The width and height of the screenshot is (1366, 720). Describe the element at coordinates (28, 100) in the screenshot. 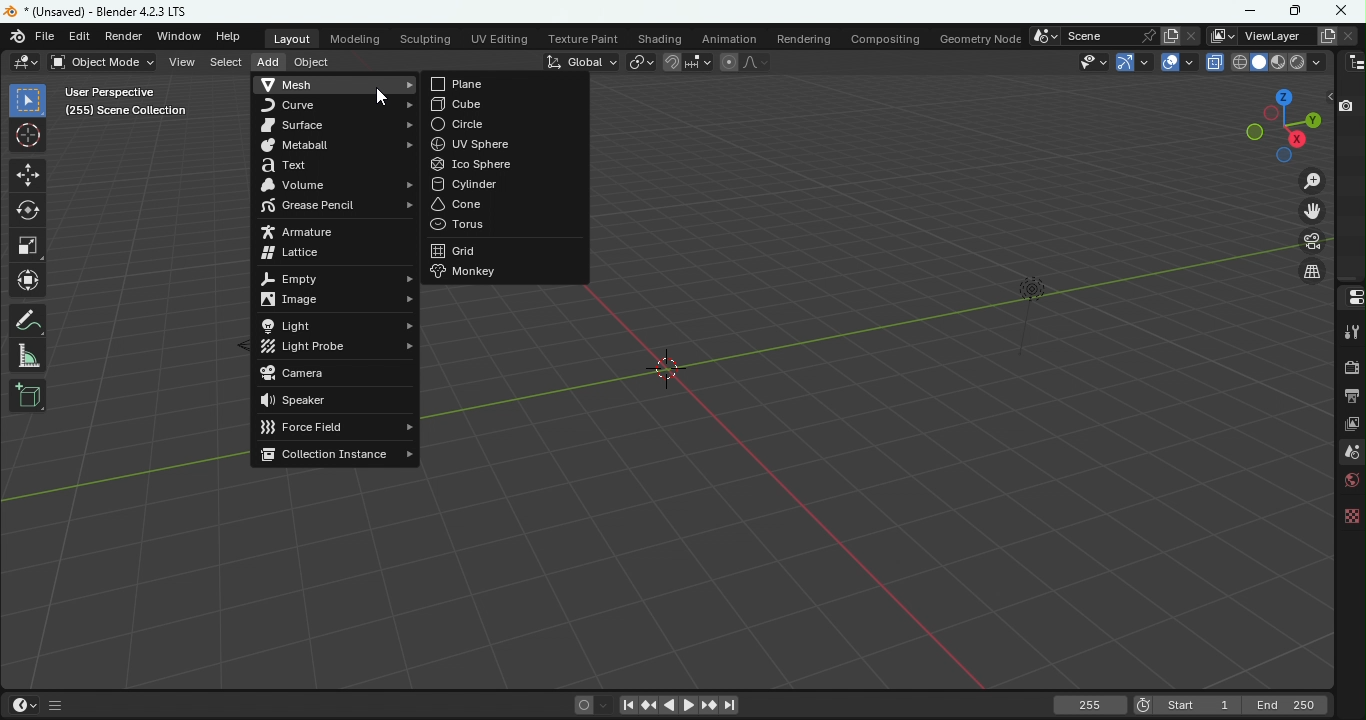

I see `Select box` at that location.